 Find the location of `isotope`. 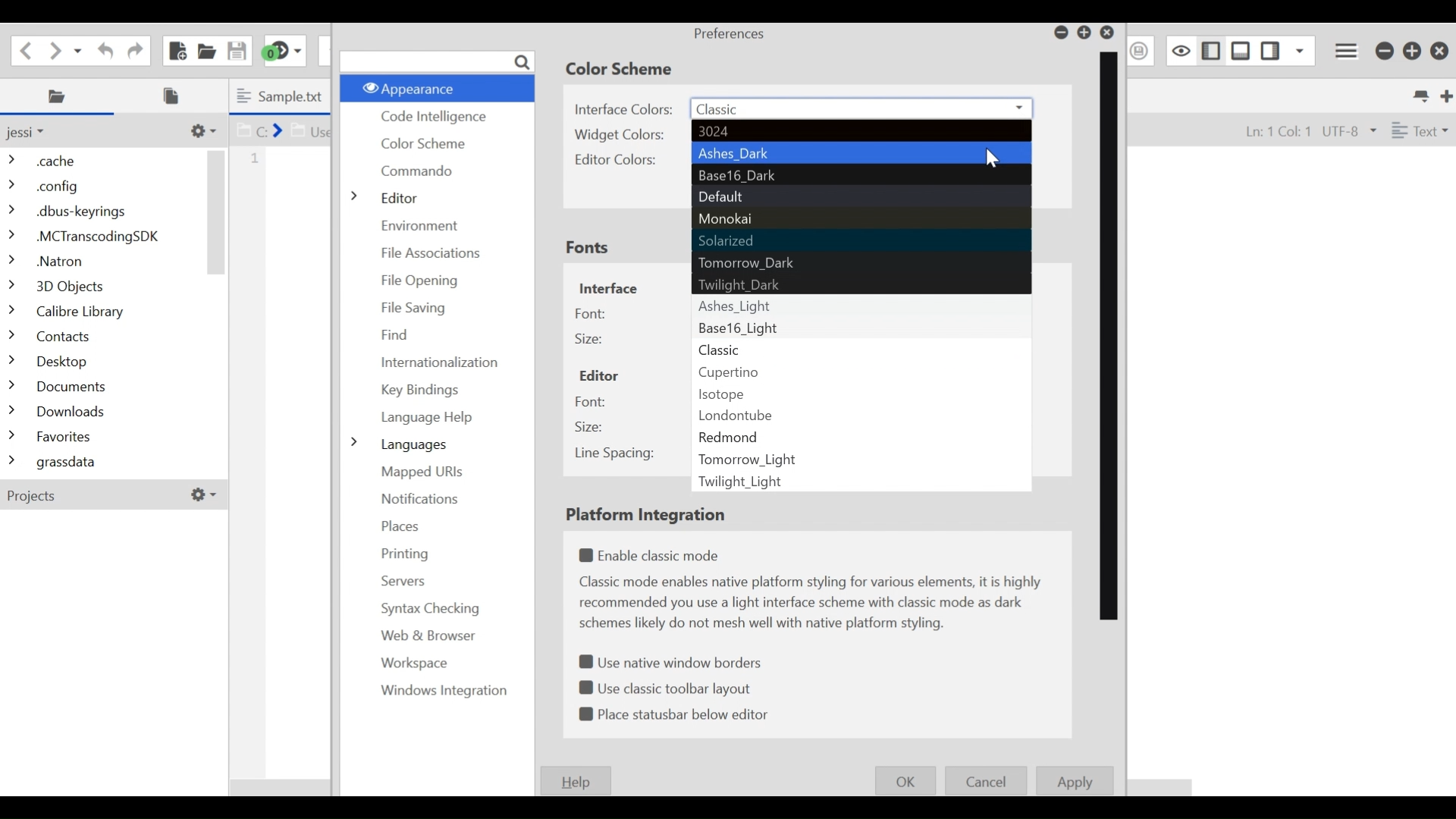

isotope is located at coordinates (858, 391).